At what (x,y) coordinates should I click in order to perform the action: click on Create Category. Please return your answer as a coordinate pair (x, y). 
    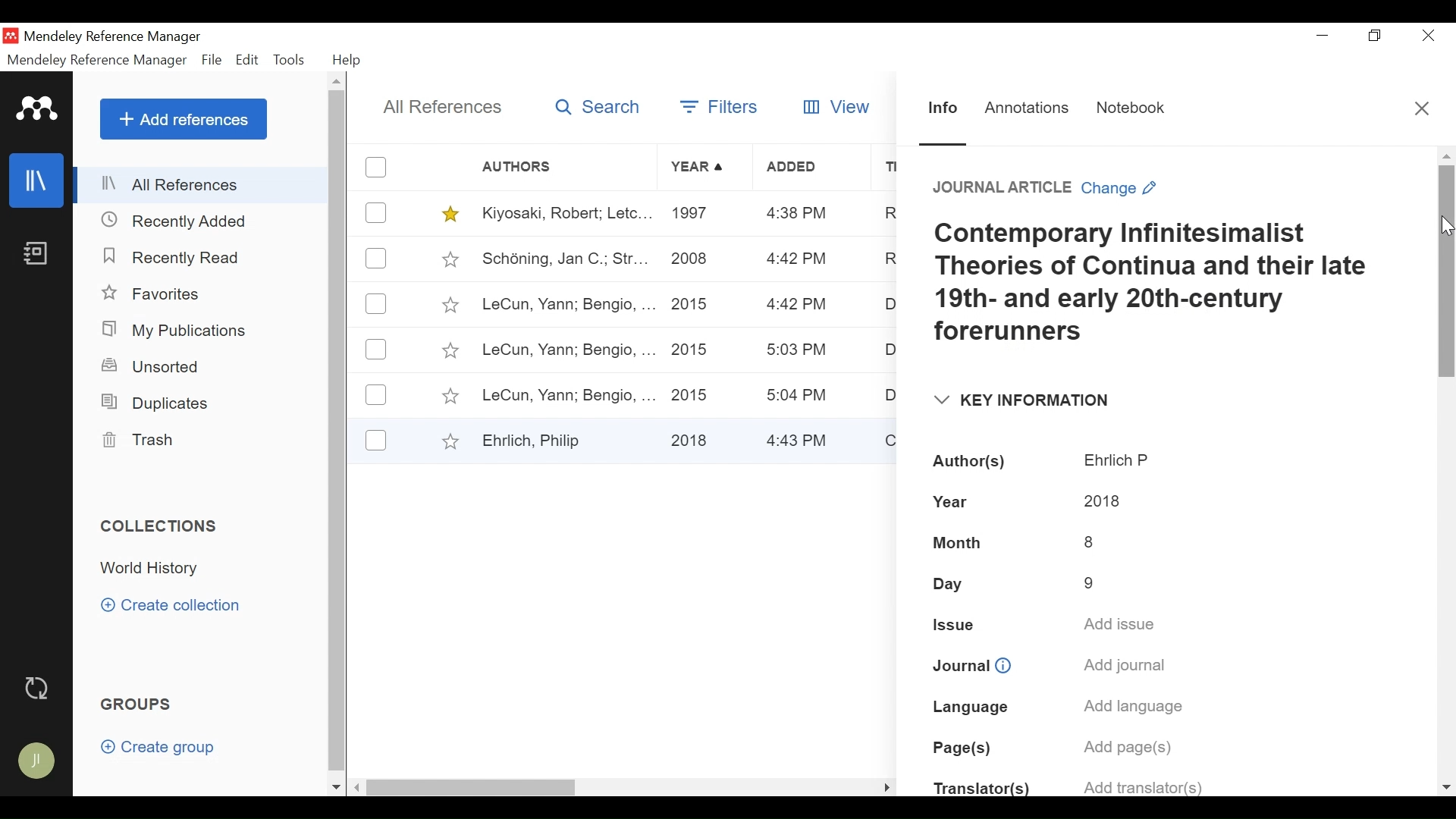
    Looking at the image, I should click on (174, 606).